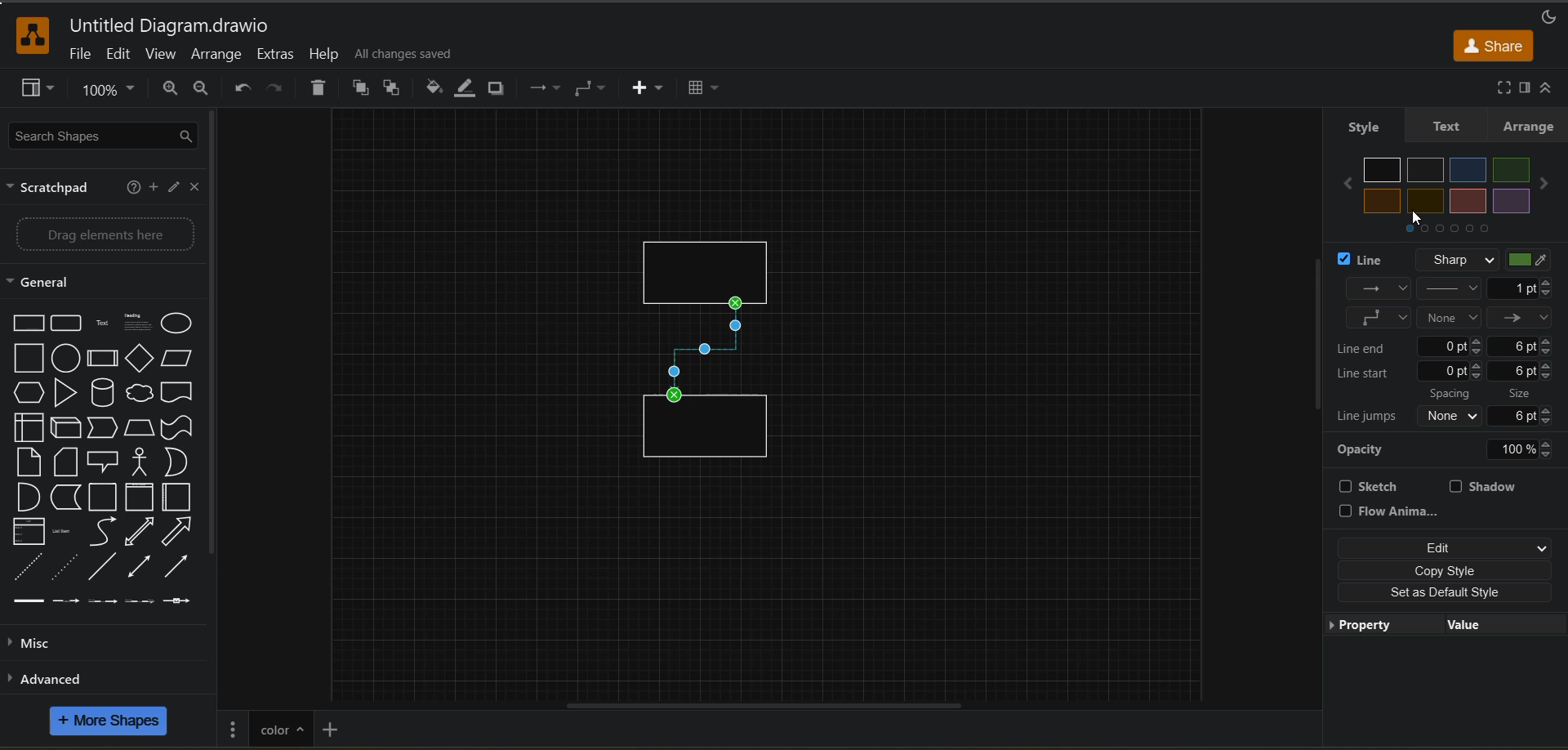 The image size is (1568, 750). Describe the element at coordinates (24, 428) in the screenshot. I see `Internal storge` at that location.